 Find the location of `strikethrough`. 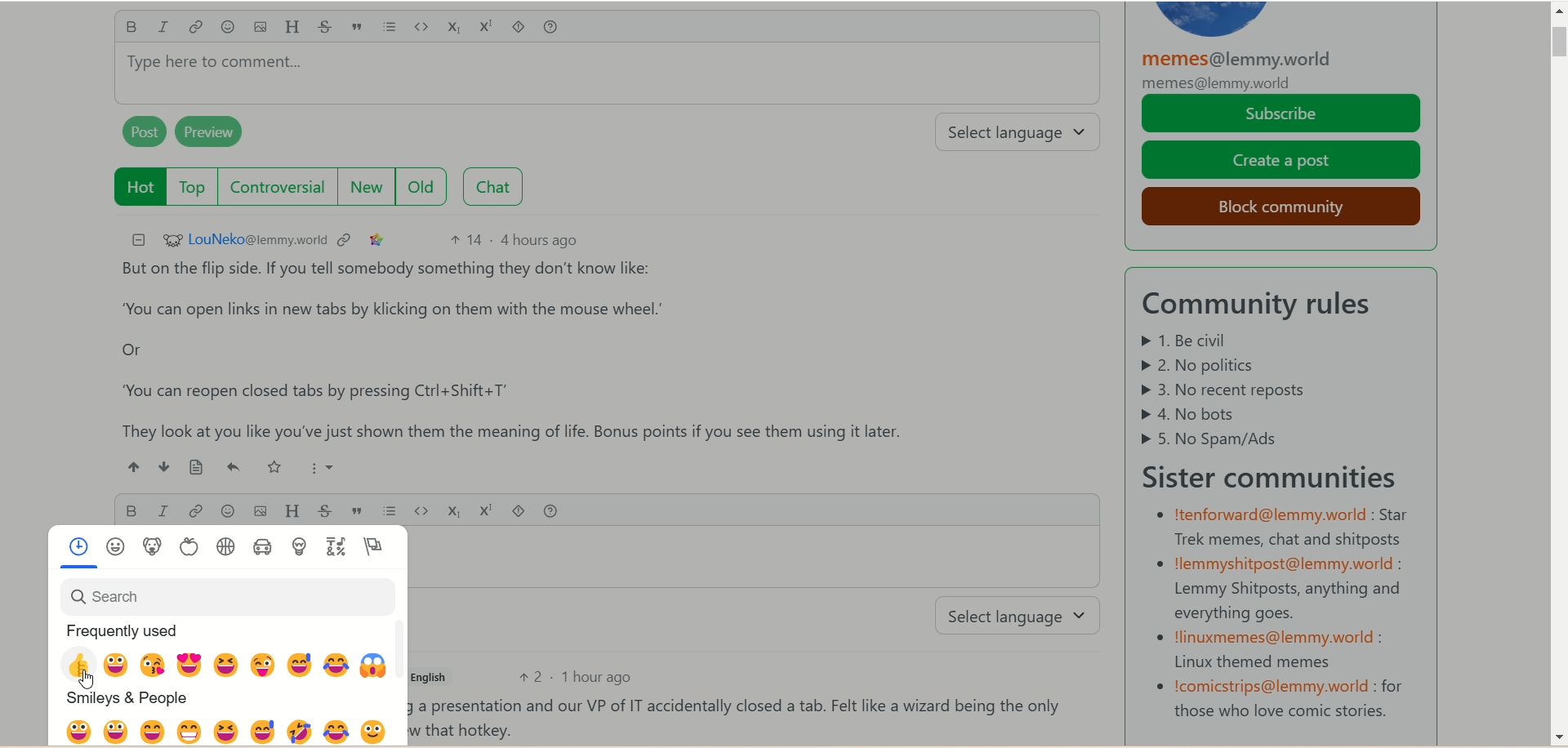

strikethrough is located at coordinates (325, 28).